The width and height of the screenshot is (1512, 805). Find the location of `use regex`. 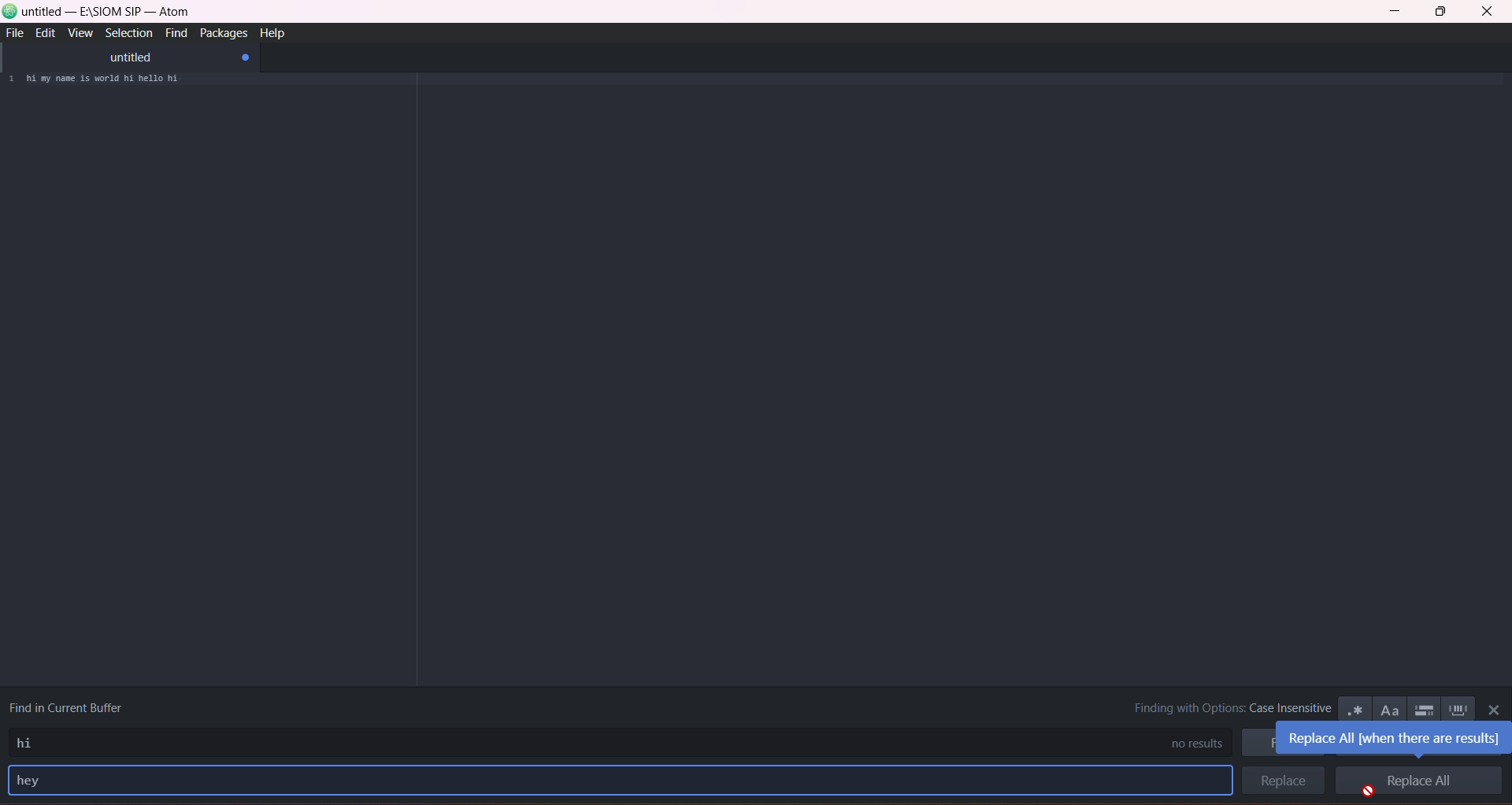

use regex is located at coordinates (1354, 707).